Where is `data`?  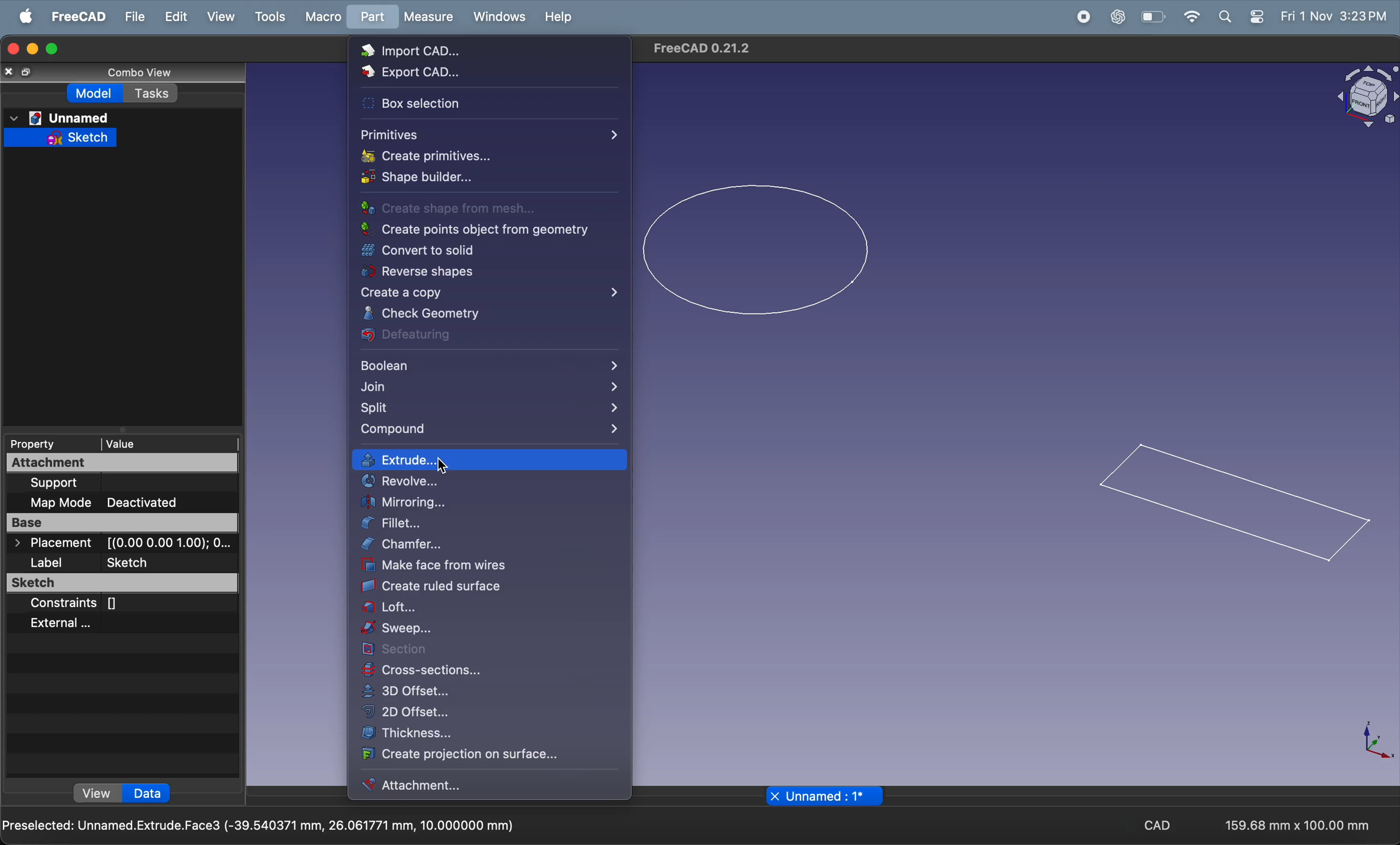
data is located at coordinates (149, 793).